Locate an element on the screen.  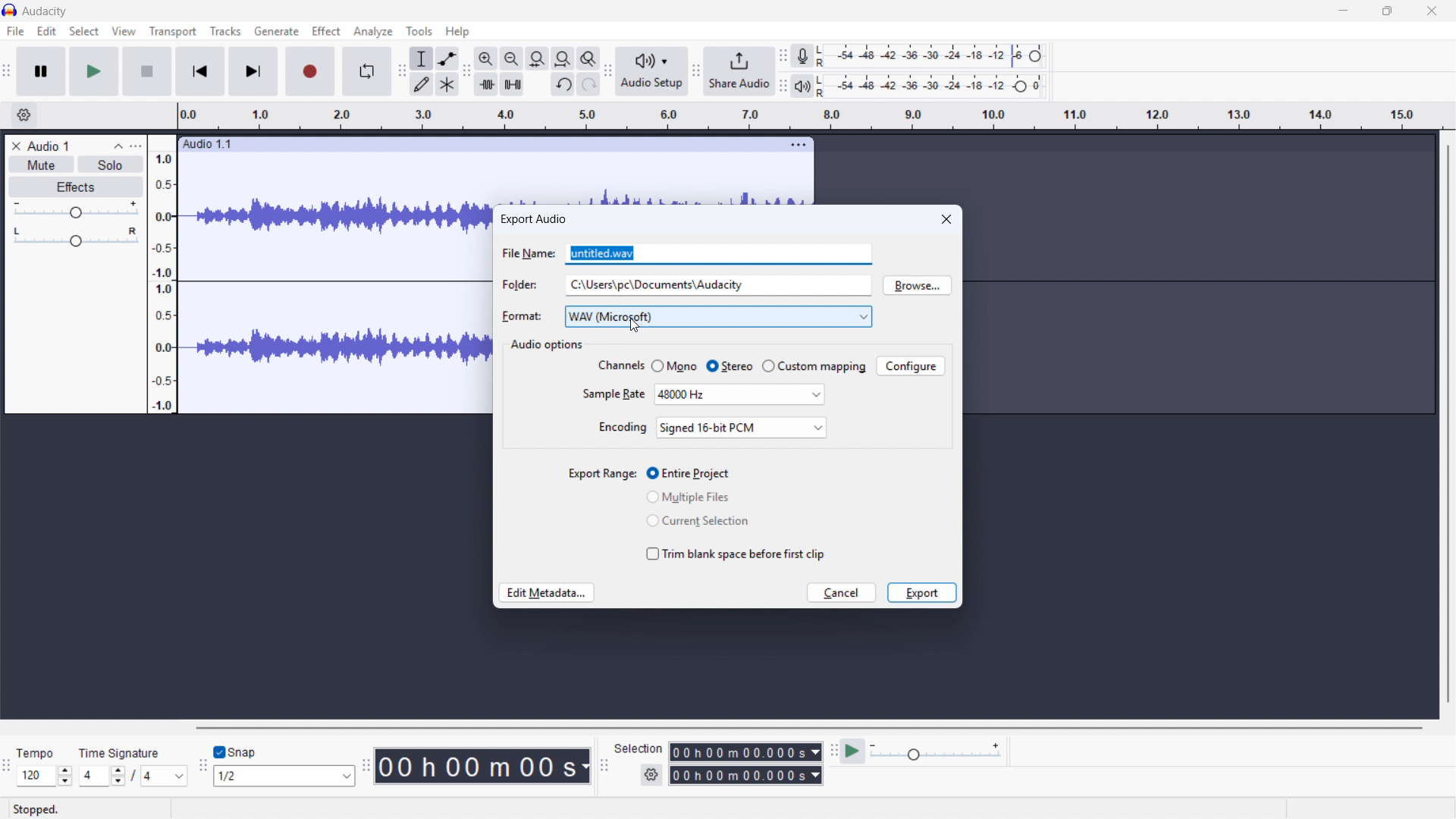
Zoom out  is located at coordinates (512, 58).